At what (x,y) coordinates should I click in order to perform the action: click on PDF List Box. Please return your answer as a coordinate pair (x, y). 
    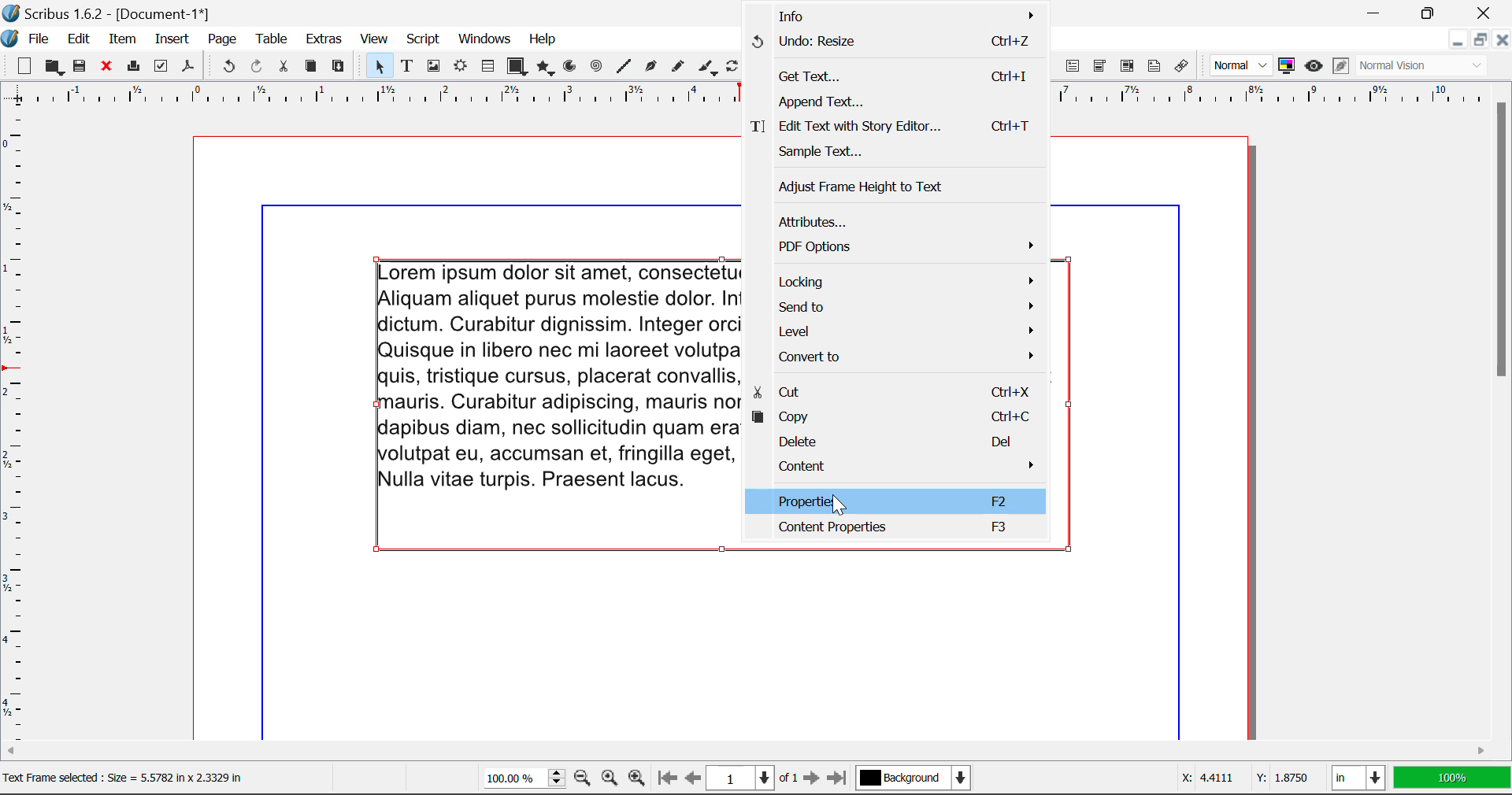
    Looking at the image, I should click on (1128, 66).